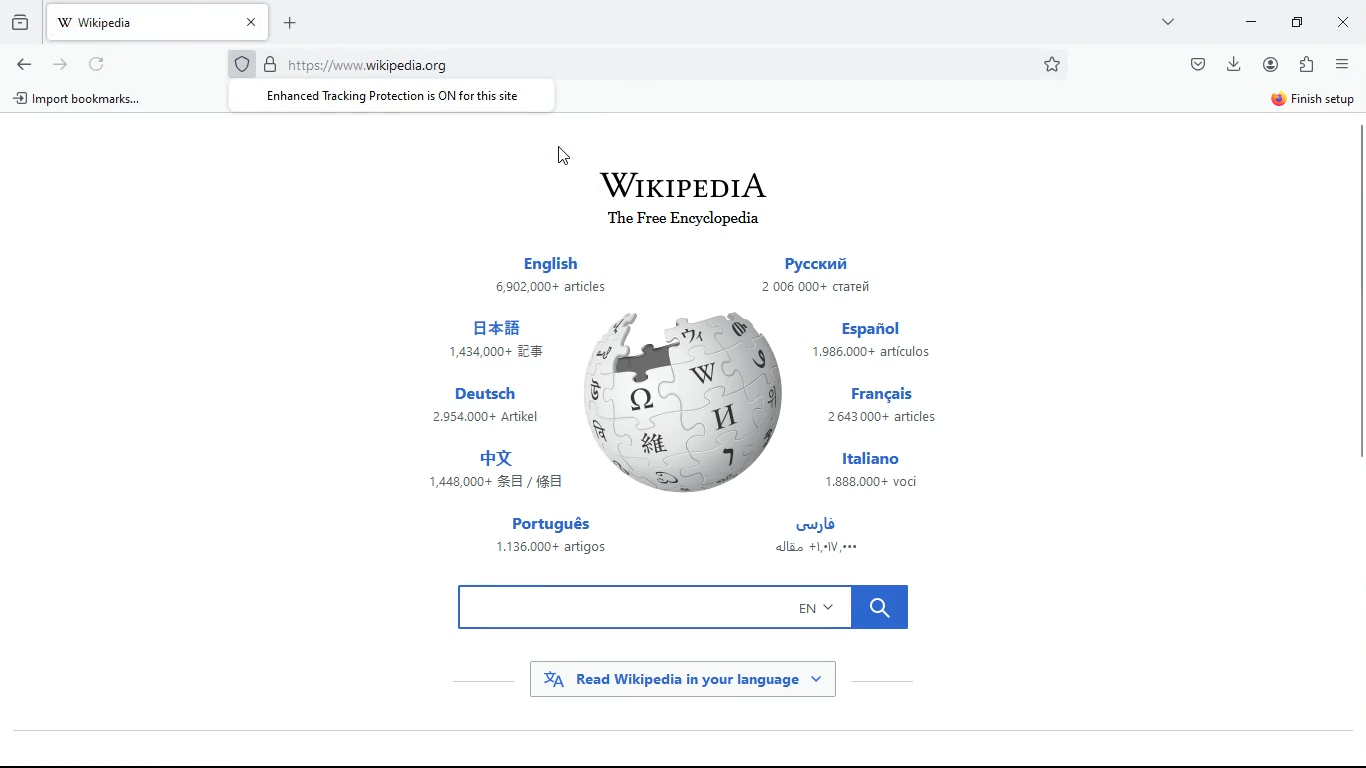 The height and width of the screenshot is (768, 1366). I want to click on español, so click(878, 341).